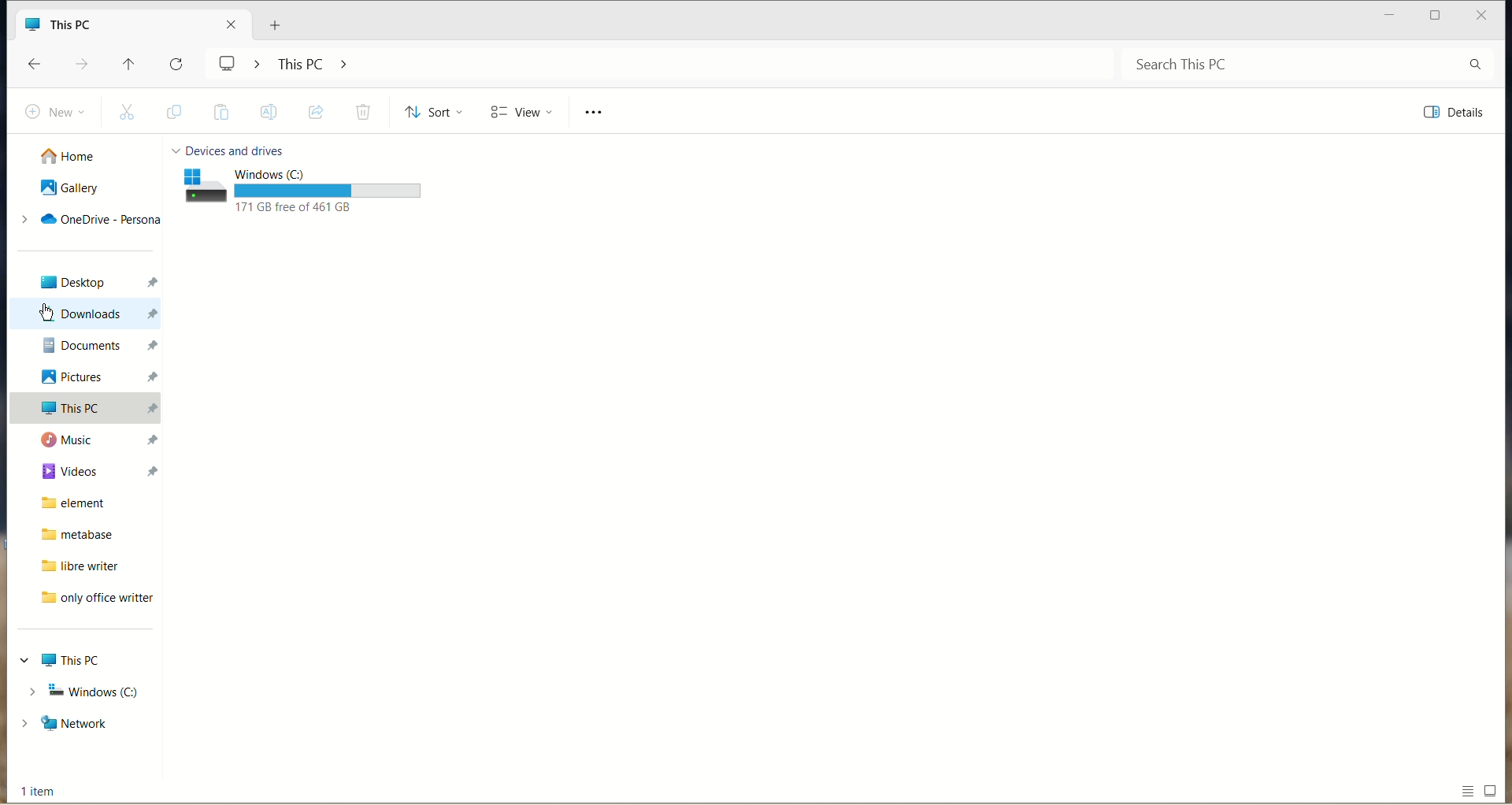  What do you see at coordinates (665, 64) in the screenshot?
I see `address bar` at bounding box center [665, 64].